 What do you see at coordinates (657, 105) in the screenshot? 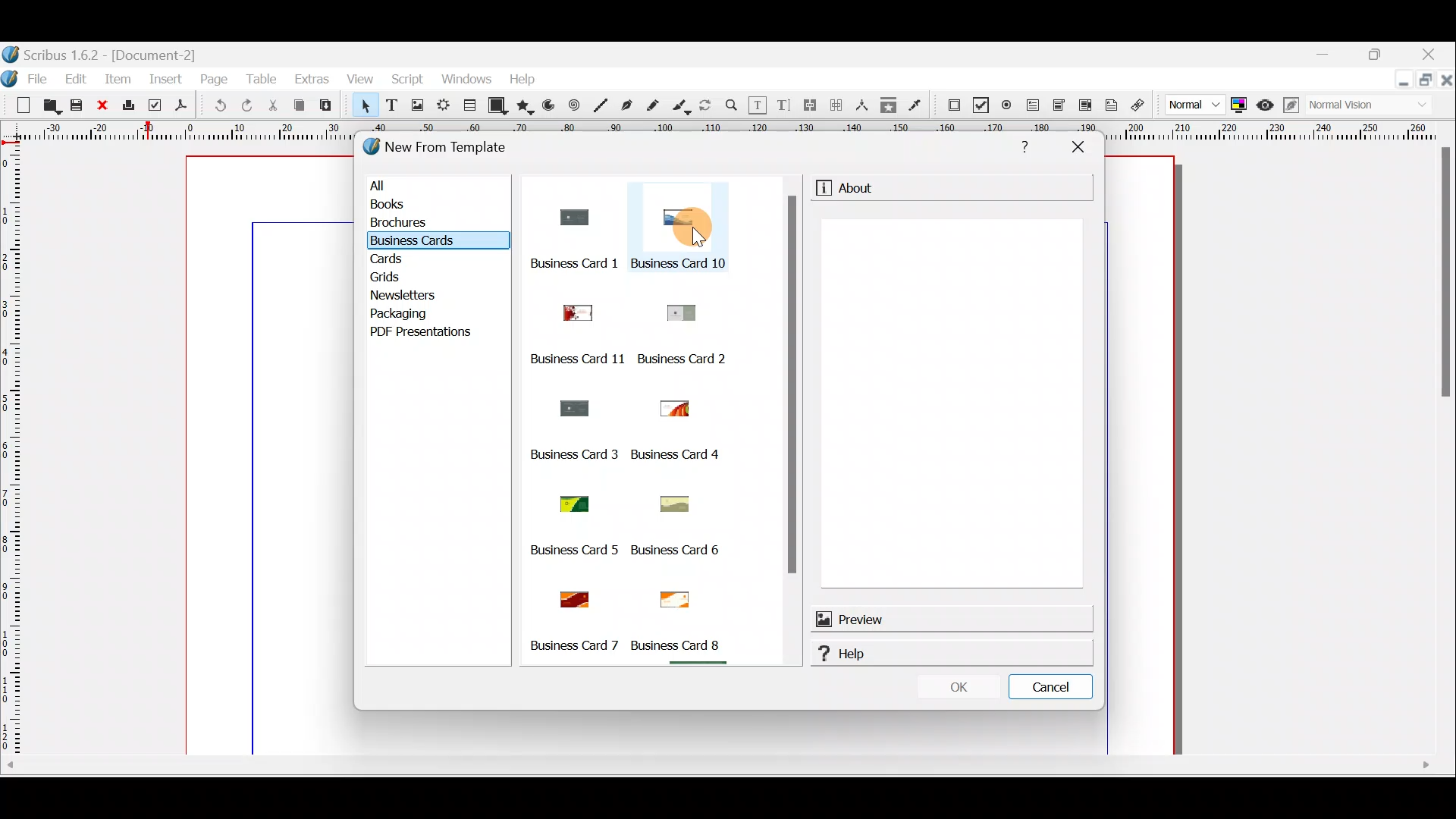
I see `Freehand line` at bounding box center [657, 105].